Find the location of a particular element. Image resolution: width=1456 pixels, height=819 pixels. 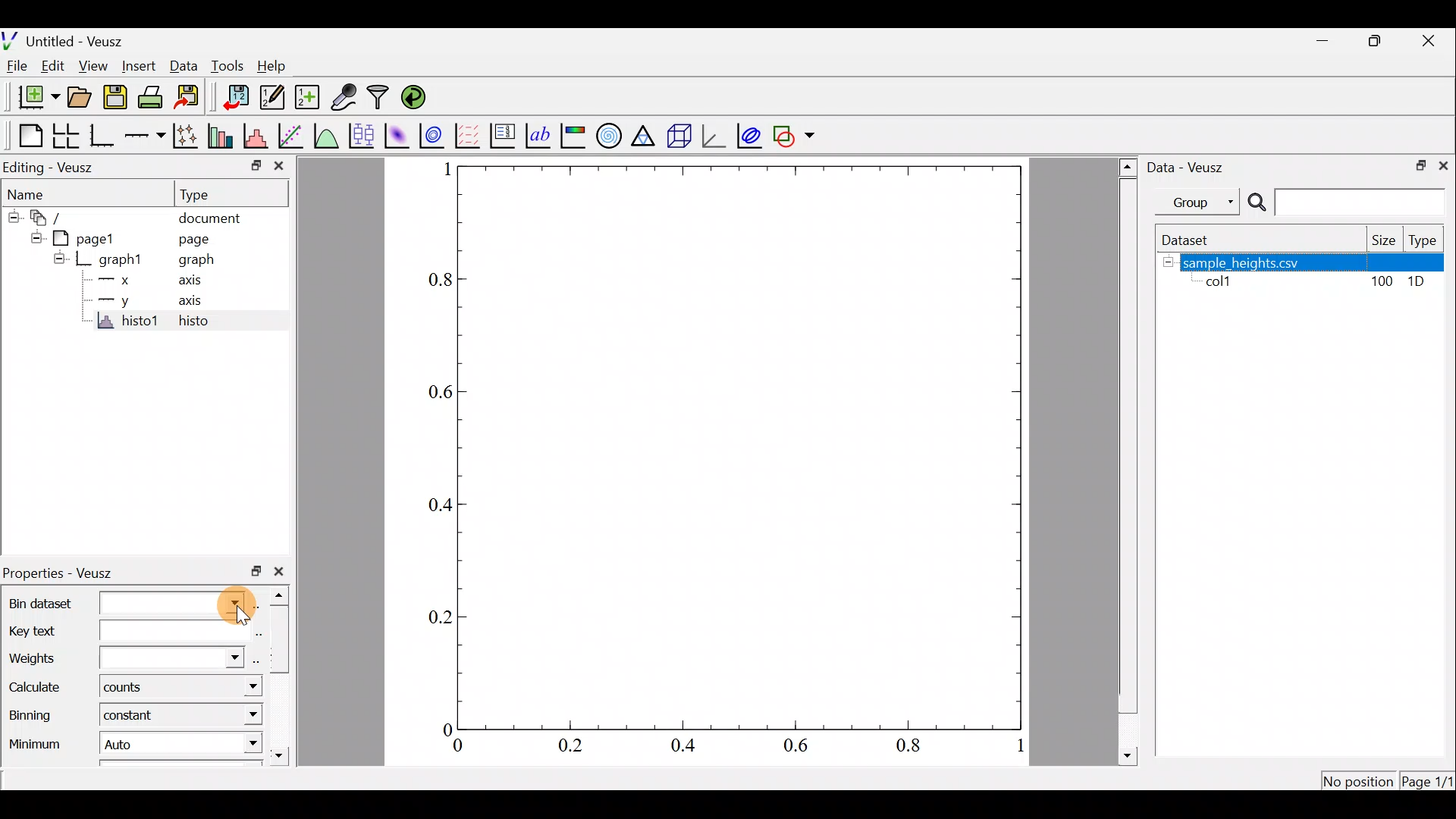

graph1 is located at coordinates (118, 260).